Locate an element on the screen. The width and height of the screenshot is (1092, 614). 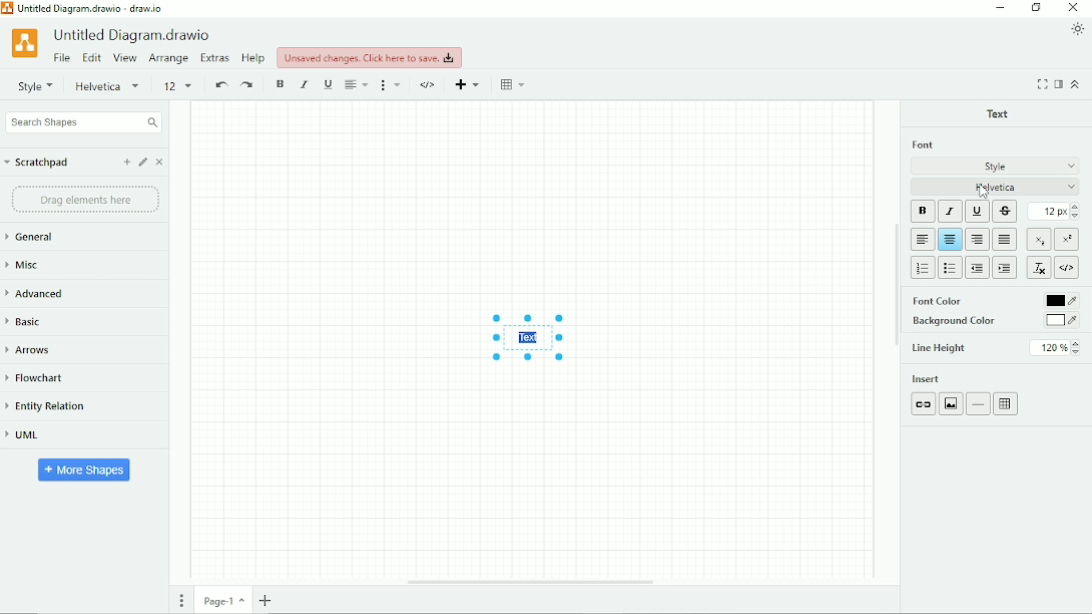
Appearance is located at coordinates (1077, 30).